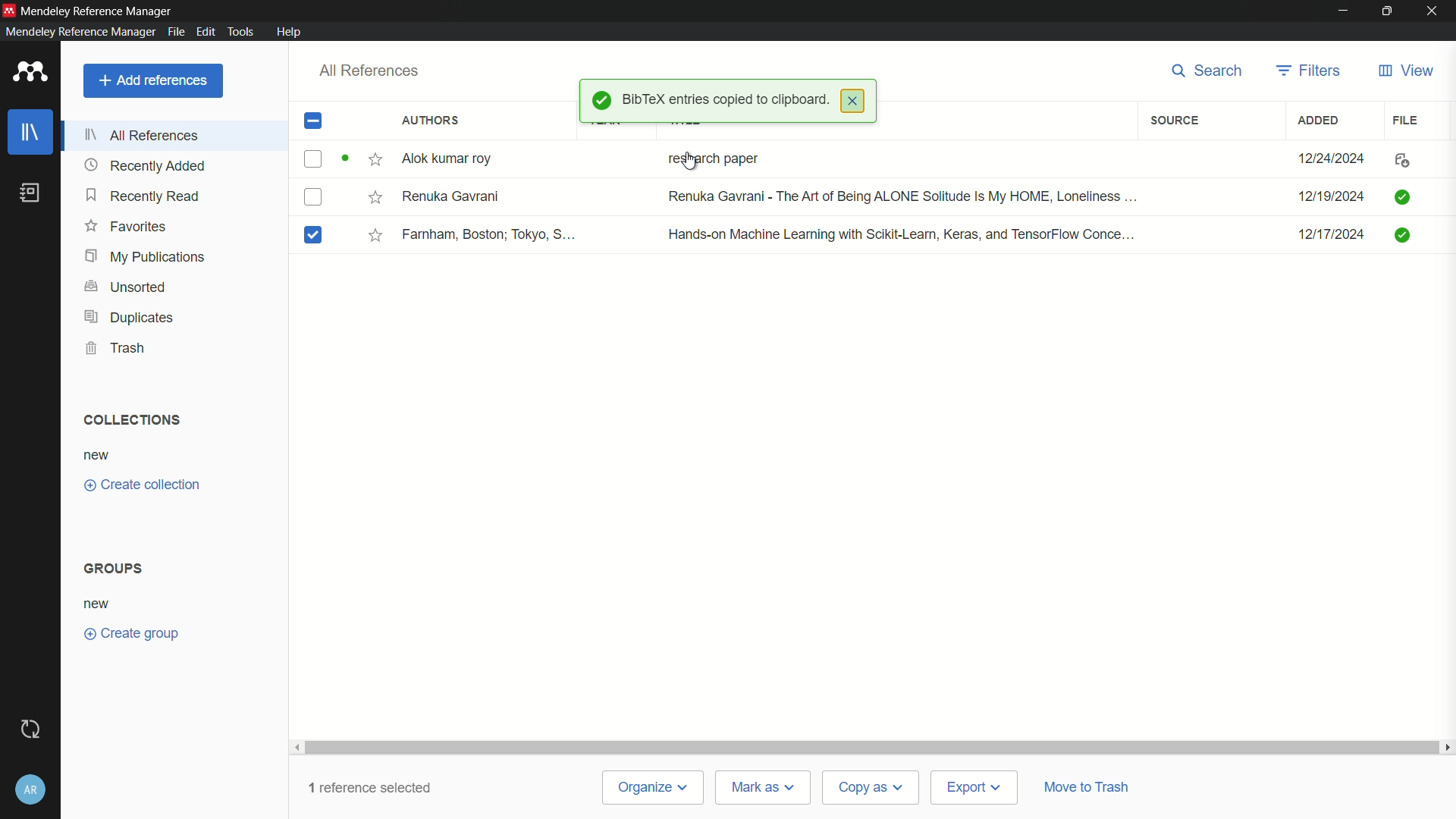 The height and width of the screenshot is (819, 1456). Describe the element at coordinates (370, 70) in the screenshot. I see `all references` at that location.